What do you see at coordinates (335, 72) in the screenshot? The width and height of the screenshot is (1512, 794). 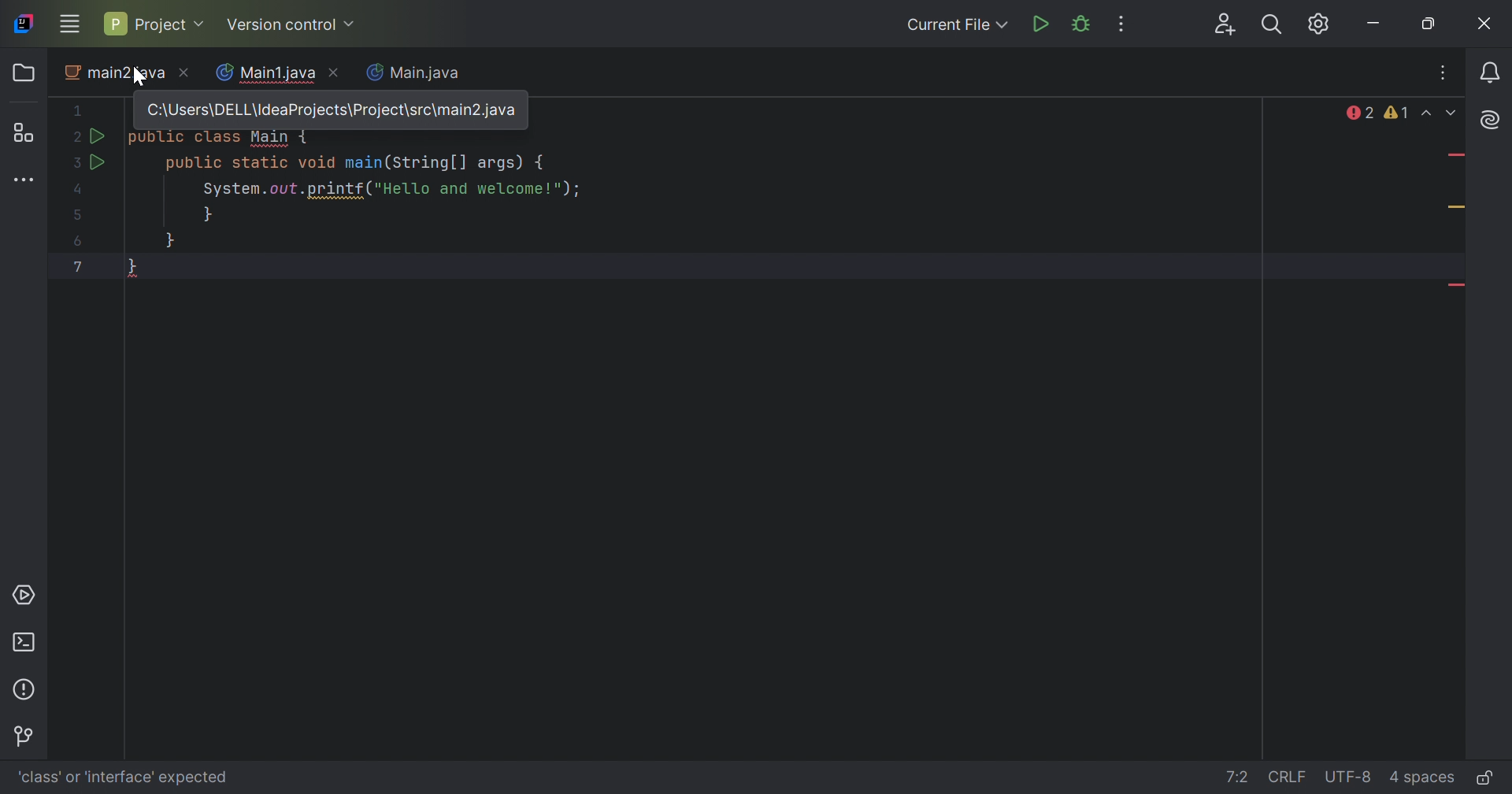 I see `Close` at bounding box center [335, 72].